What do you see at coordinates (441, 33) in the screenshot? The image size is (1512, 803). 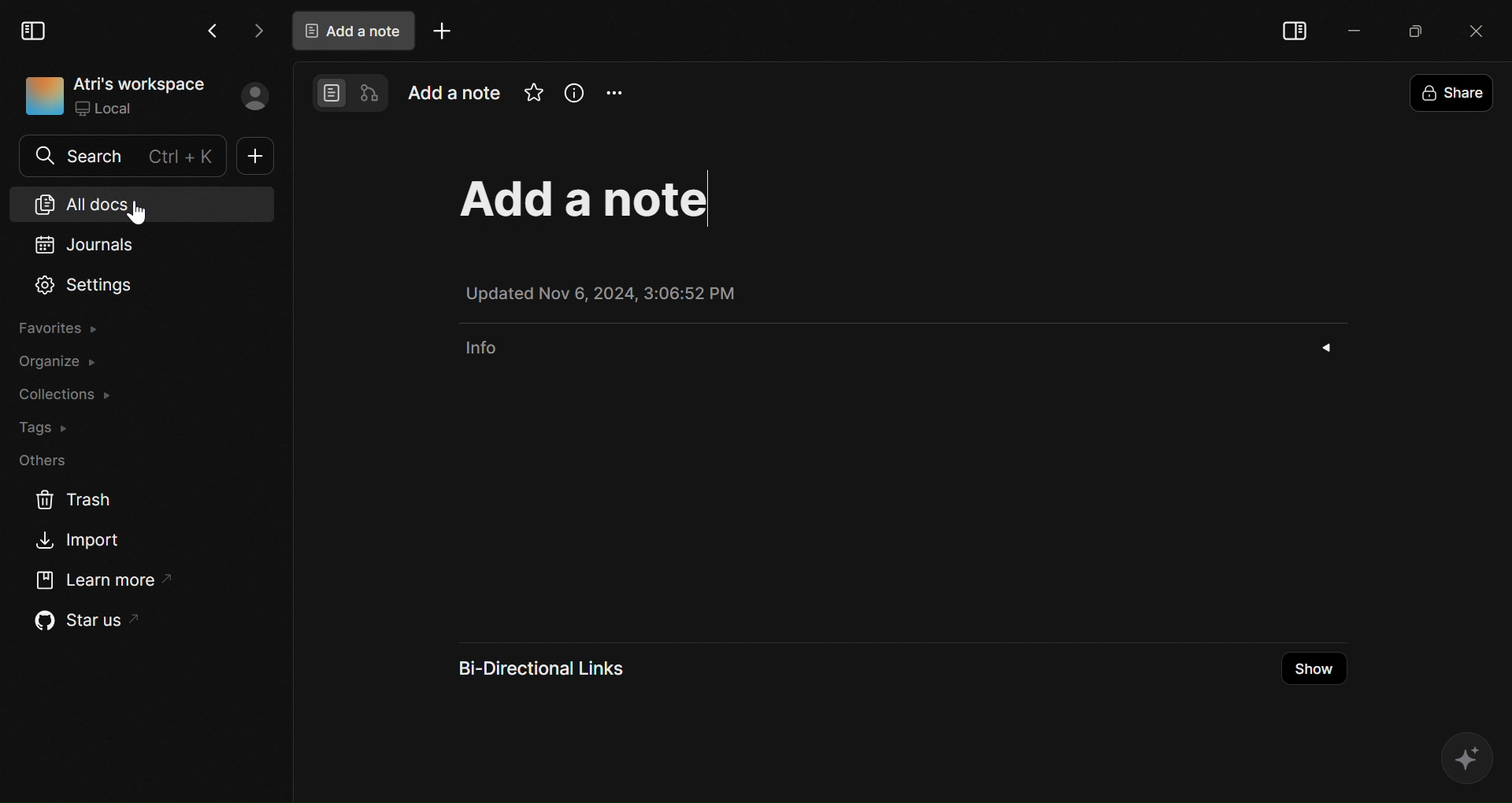 I see `Add tab` at bounding box center [441, 33].